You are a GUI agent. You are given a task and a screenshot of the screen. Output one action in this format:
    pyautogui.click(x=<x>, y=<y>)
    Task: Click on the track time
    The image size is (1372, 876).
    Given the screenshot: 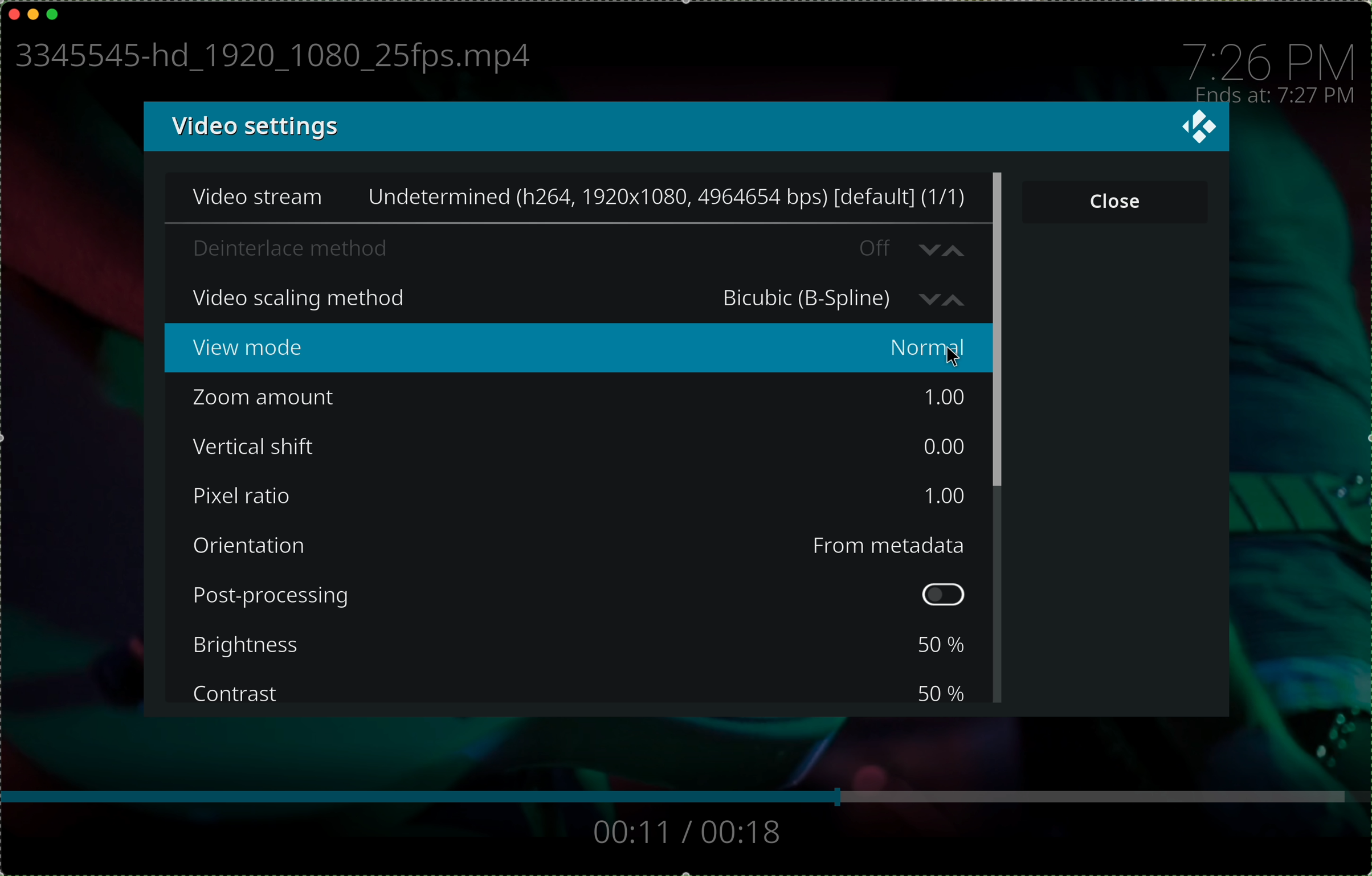 What is the action you would take?
    pyautogui.click(x=688, y=834)
    